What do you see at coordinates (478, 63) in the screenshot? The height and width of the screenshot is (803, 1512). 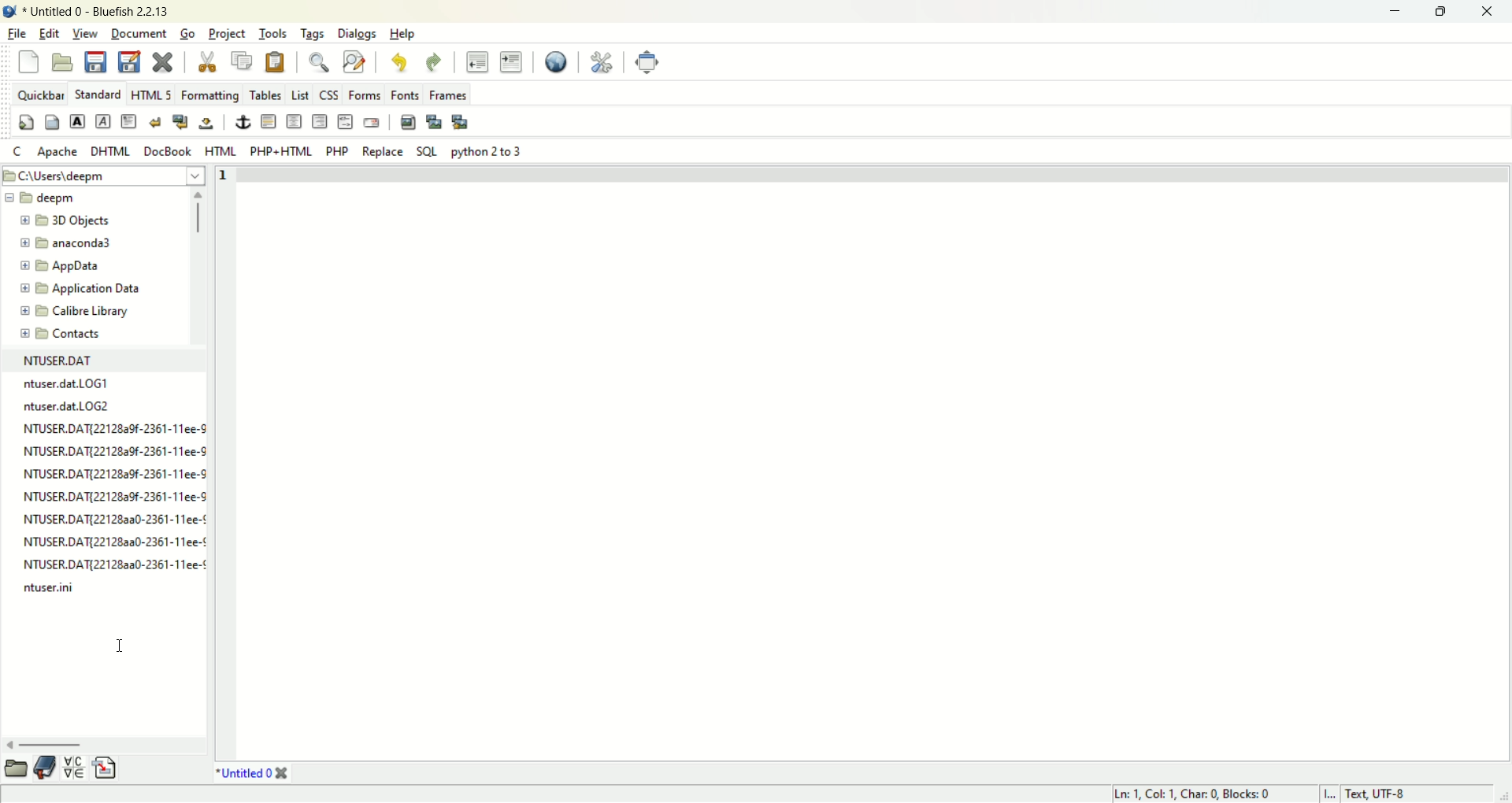 I see `unindent` at bounding box center [478, 63].